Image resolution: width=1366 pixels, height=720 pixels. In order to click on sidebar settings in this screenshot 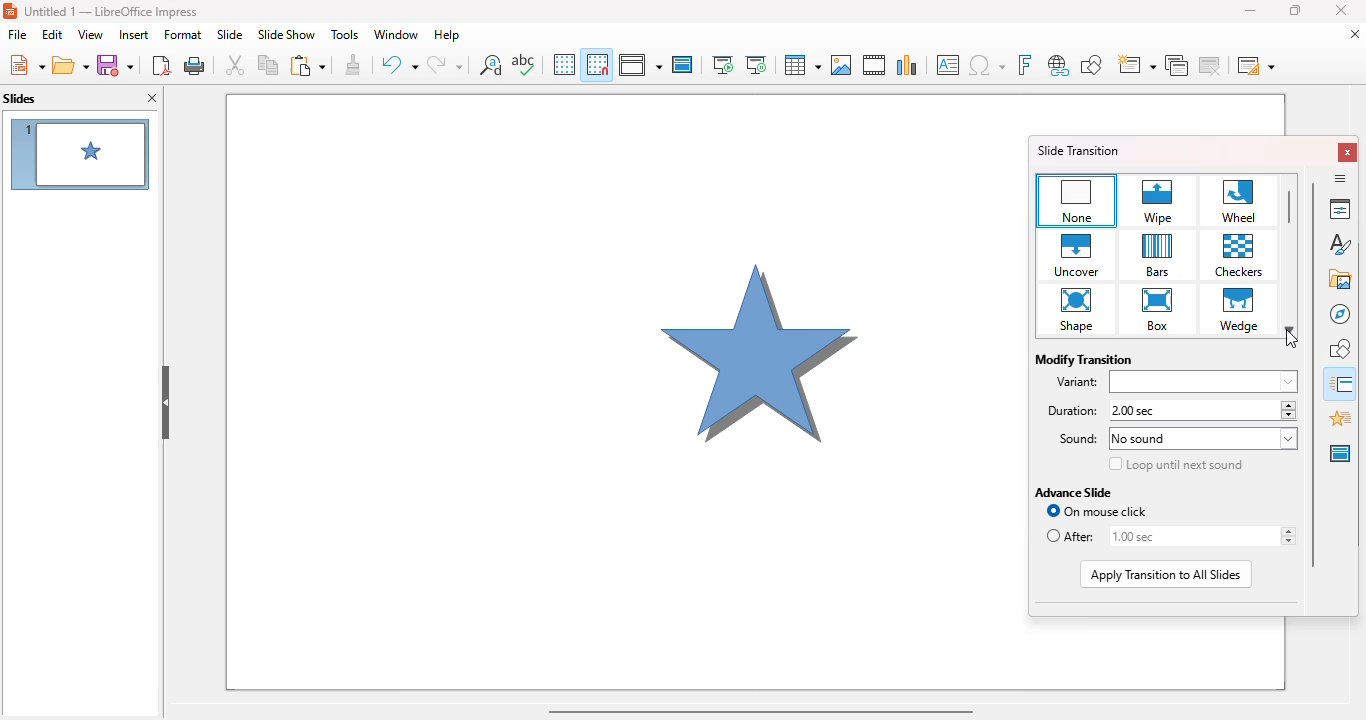, I will do `click(1340, 178)`.